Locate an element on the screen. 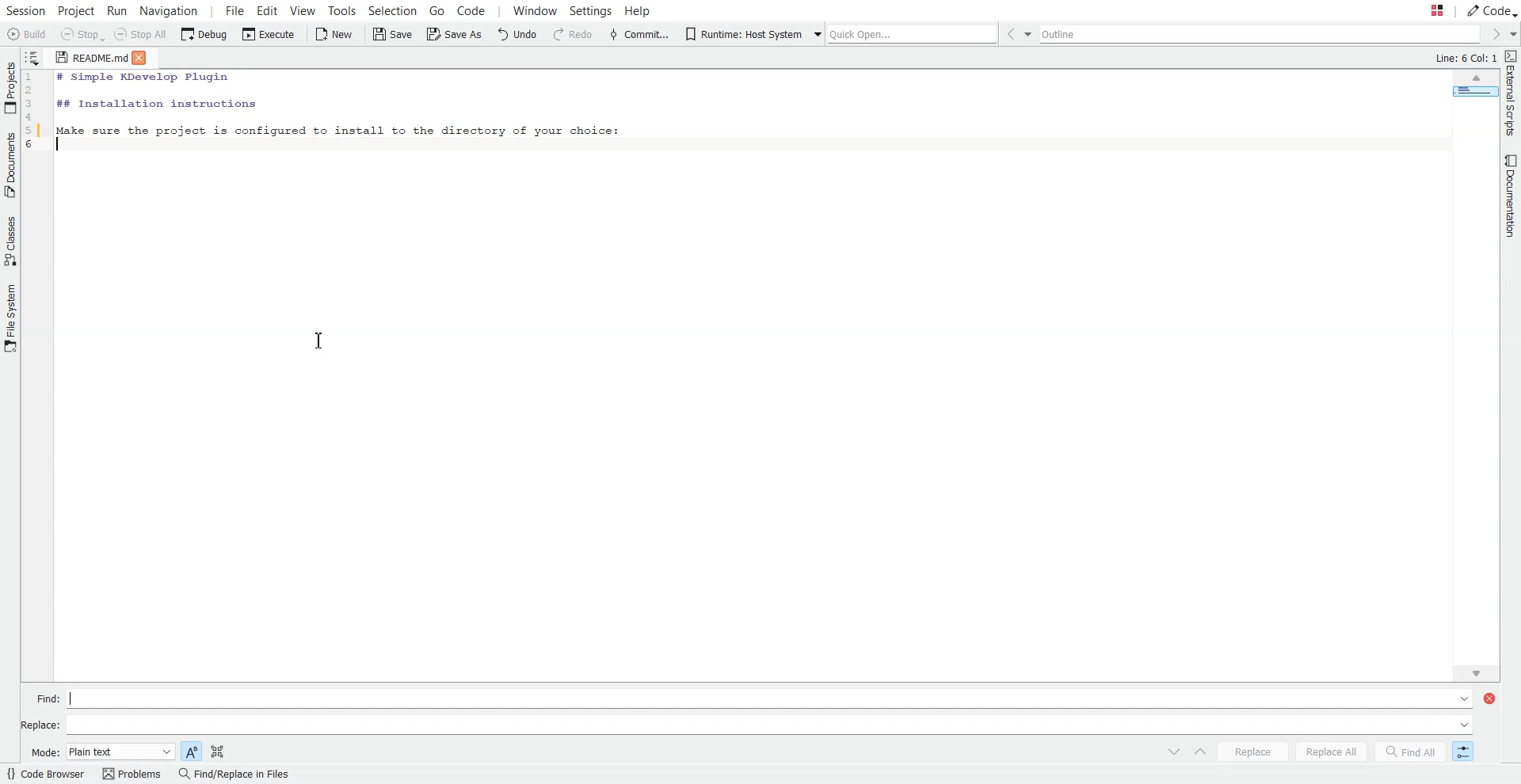 The width and height of the screenshot is (1521, 784). Stash is located at coordinates (1421, 11).